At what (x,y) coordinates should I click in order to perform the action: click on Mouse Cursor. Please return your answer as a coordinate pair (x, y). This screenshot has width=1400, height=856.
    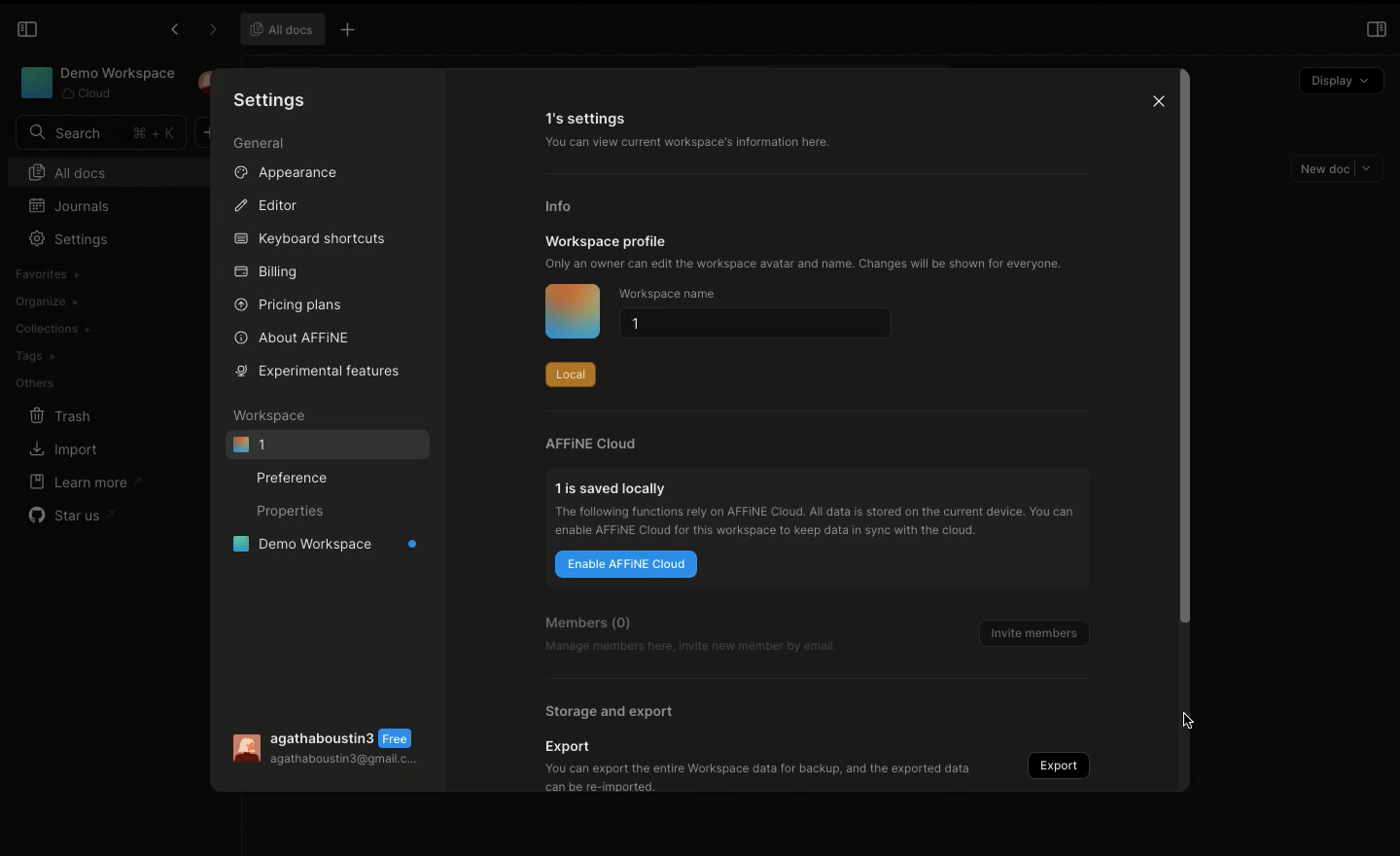
    Looking at the image, I should click on (1185, 725).